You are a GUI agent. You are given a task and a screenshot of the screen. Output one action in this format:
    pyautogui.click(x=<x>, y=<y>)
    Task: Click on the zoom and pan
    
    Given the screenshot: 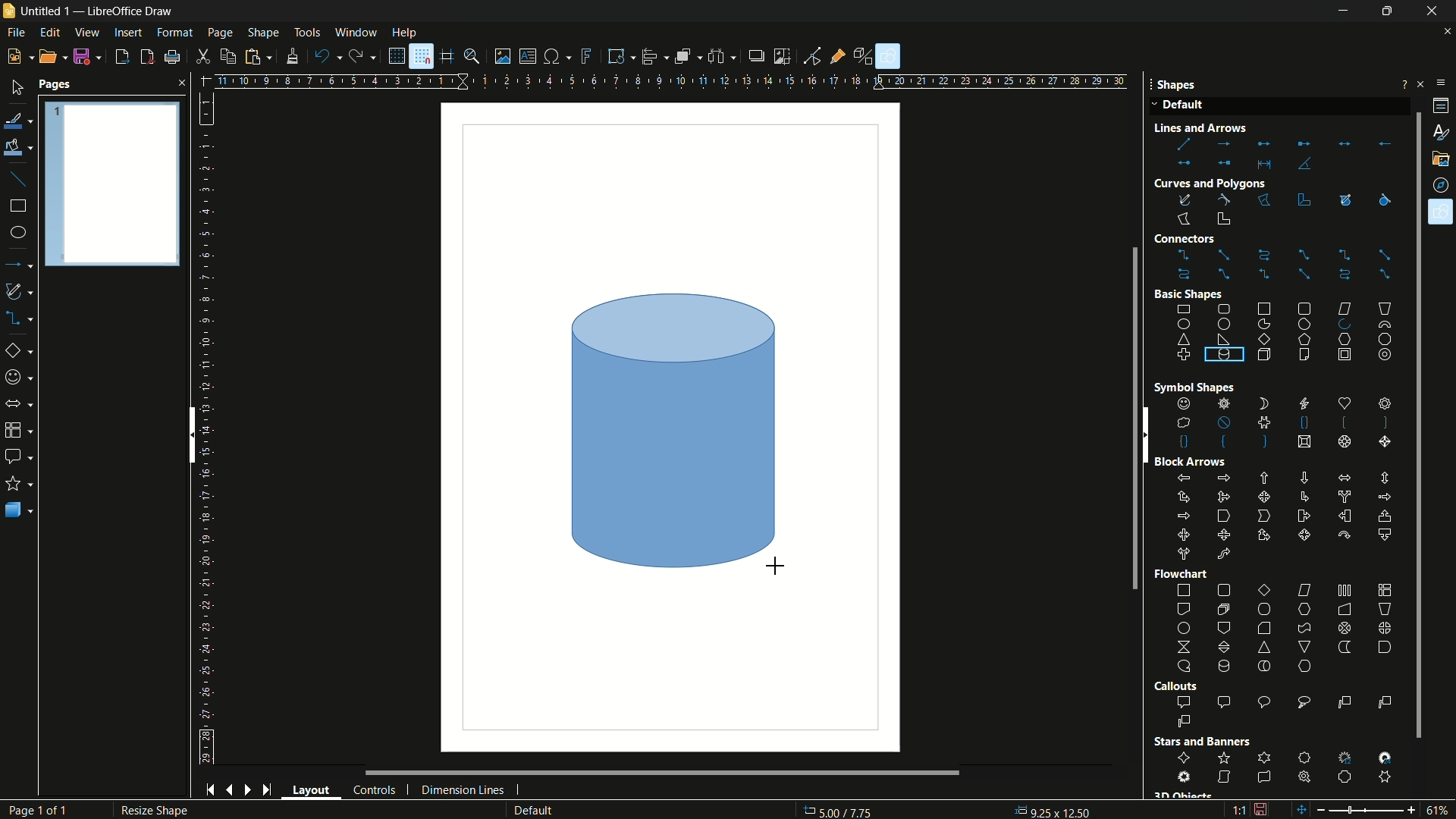 What is the action you would take?
    pyautogui.click(x=472, y=56)
    